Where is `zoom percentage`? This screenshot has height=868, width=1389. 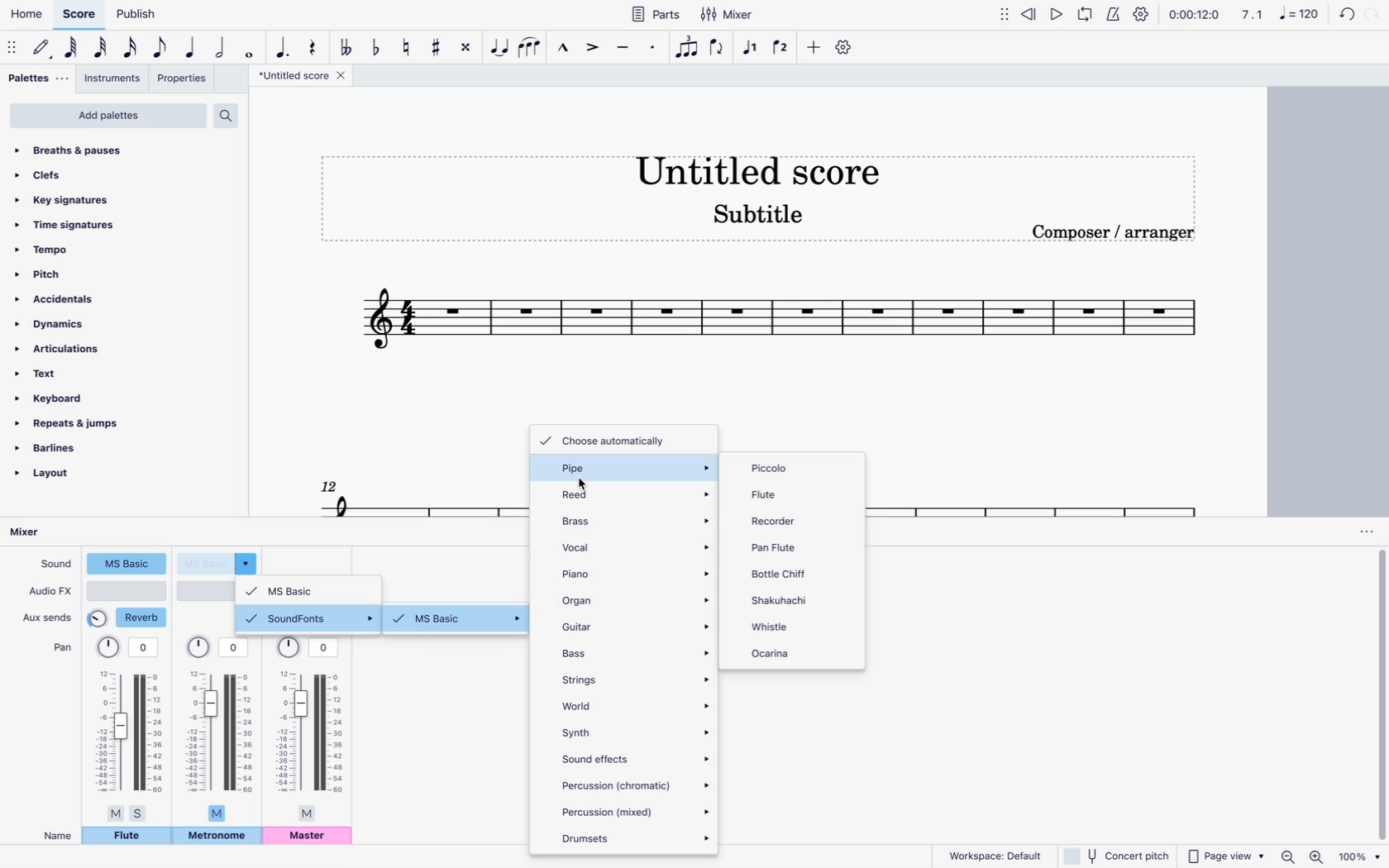
zoom percentage is located at coordinates (1360, 856).